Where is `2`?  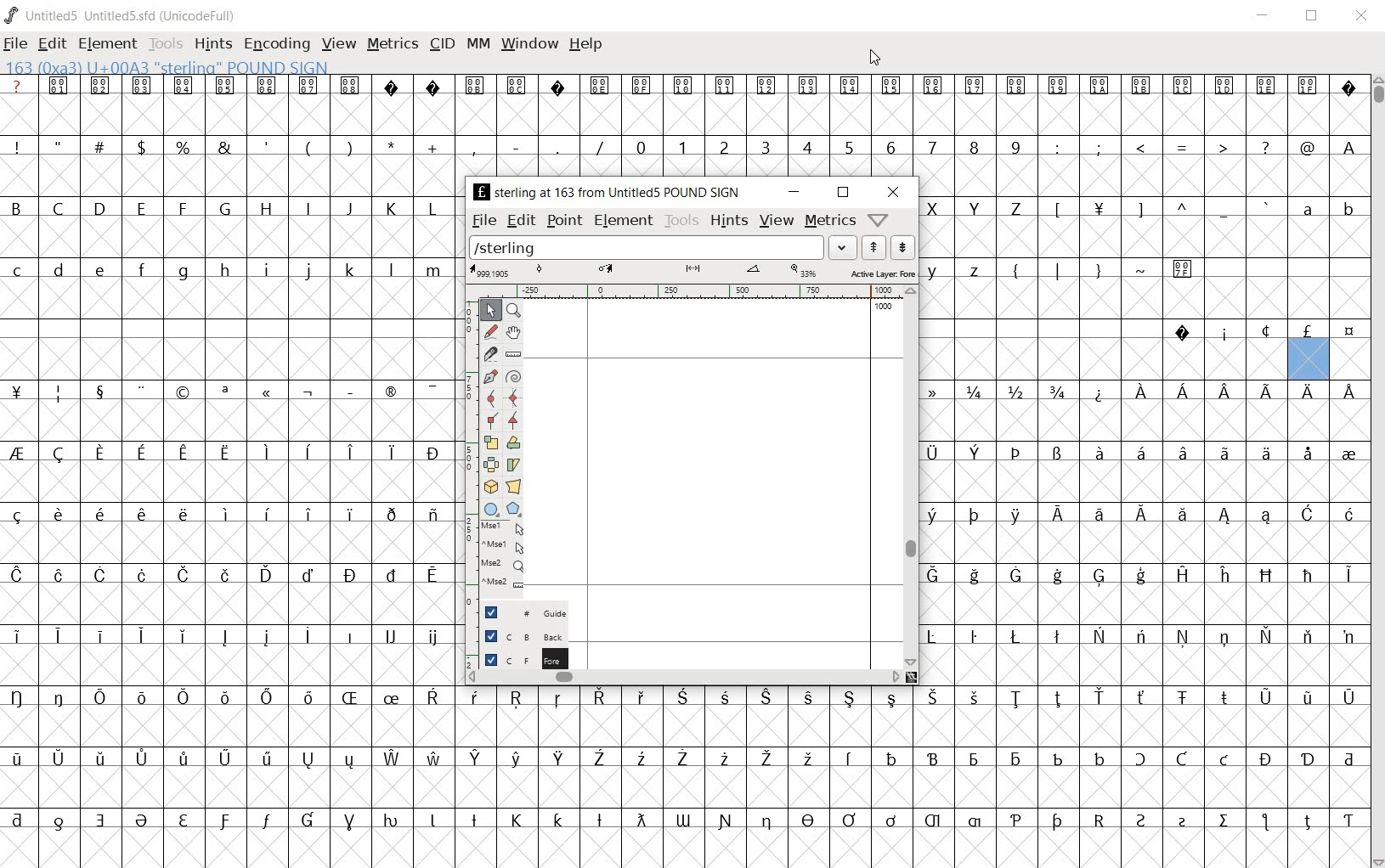 2 is located at coordinates (725, 146).